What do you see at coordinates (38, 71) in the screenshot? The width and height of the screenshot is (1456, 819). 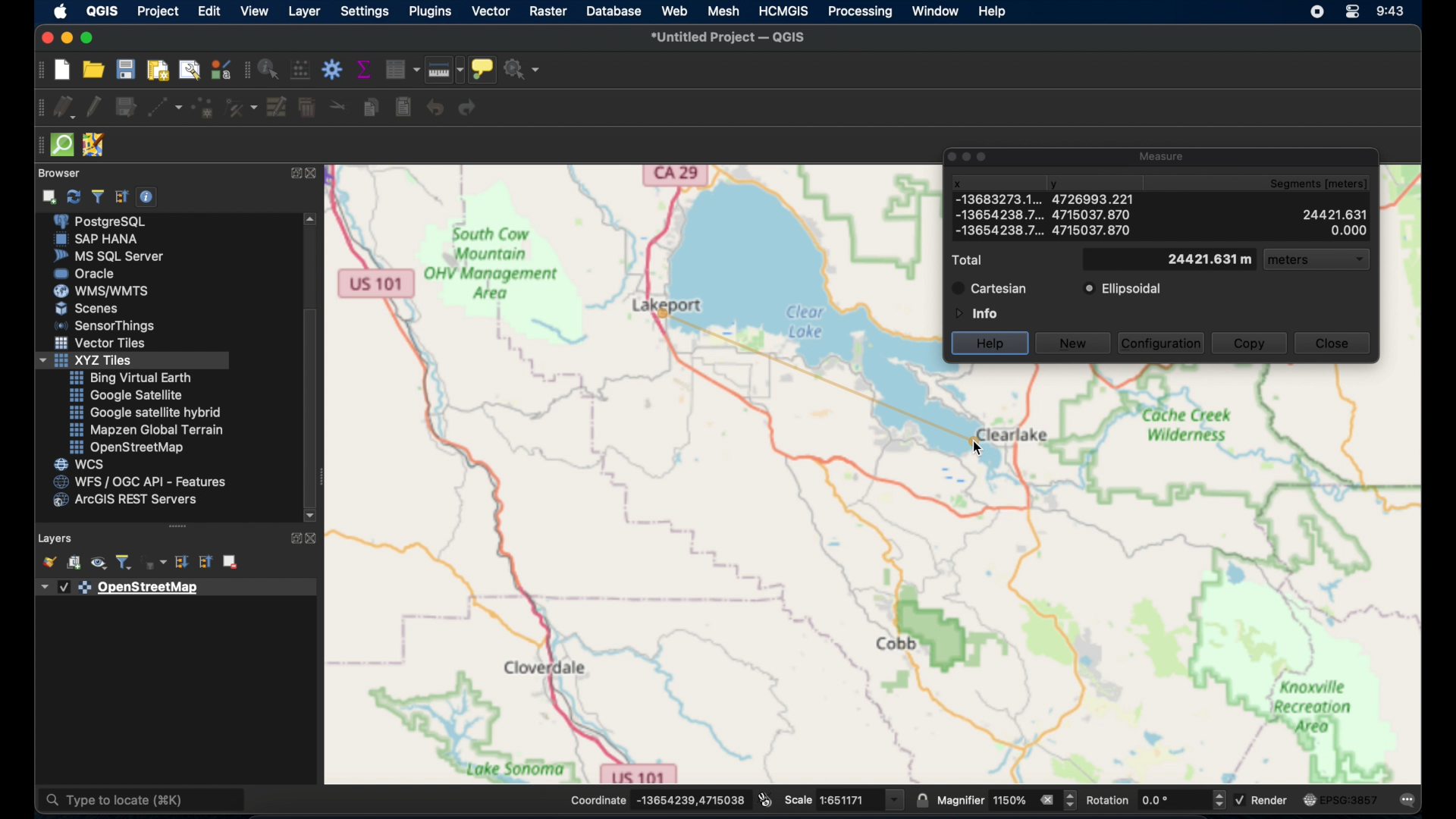 I see `project toolbar` at bounding box center [38, 71].